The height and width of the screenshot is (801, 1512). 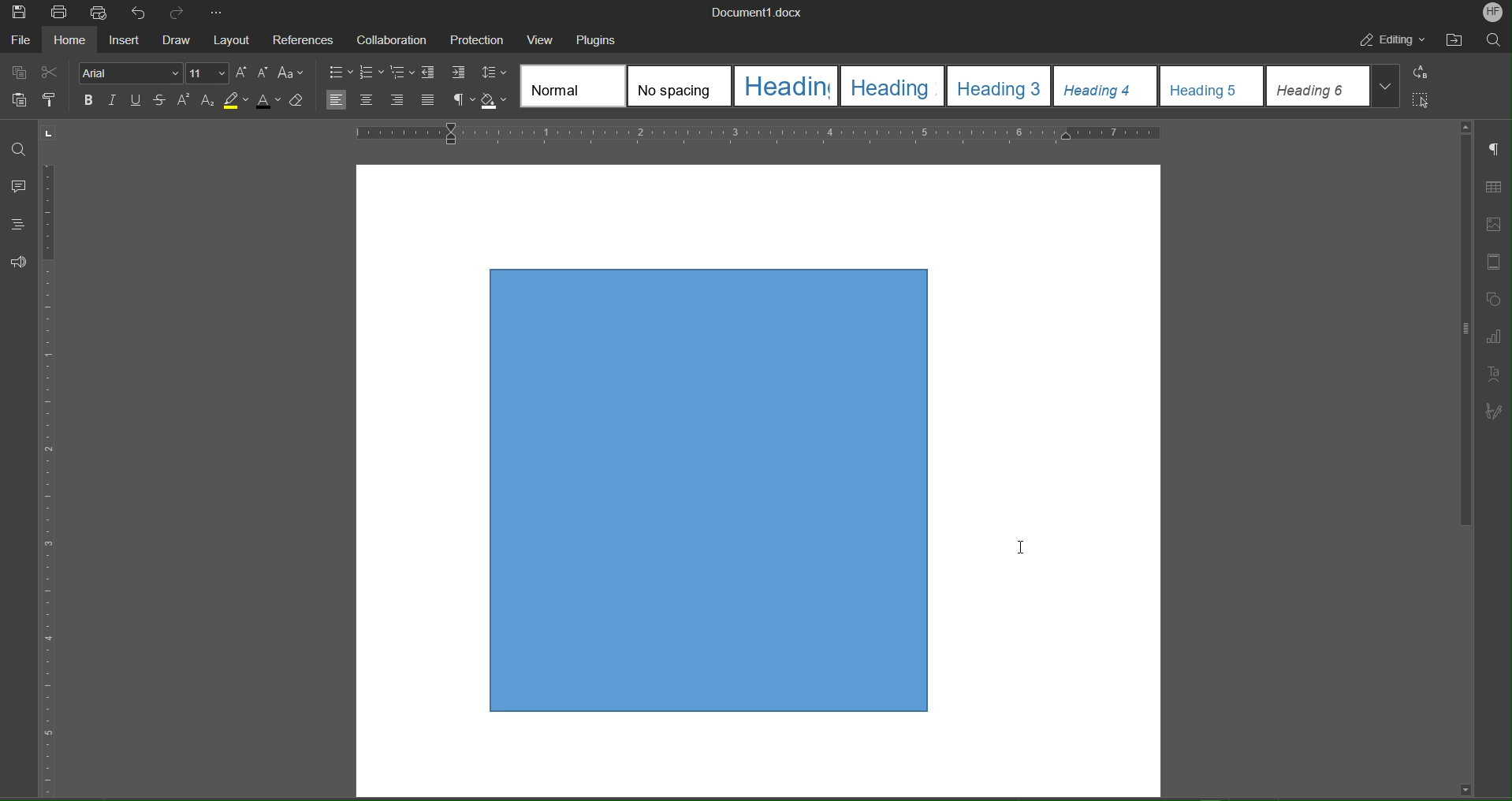 I want to click on Shape Solid Fill, so click(x=697, y=492).